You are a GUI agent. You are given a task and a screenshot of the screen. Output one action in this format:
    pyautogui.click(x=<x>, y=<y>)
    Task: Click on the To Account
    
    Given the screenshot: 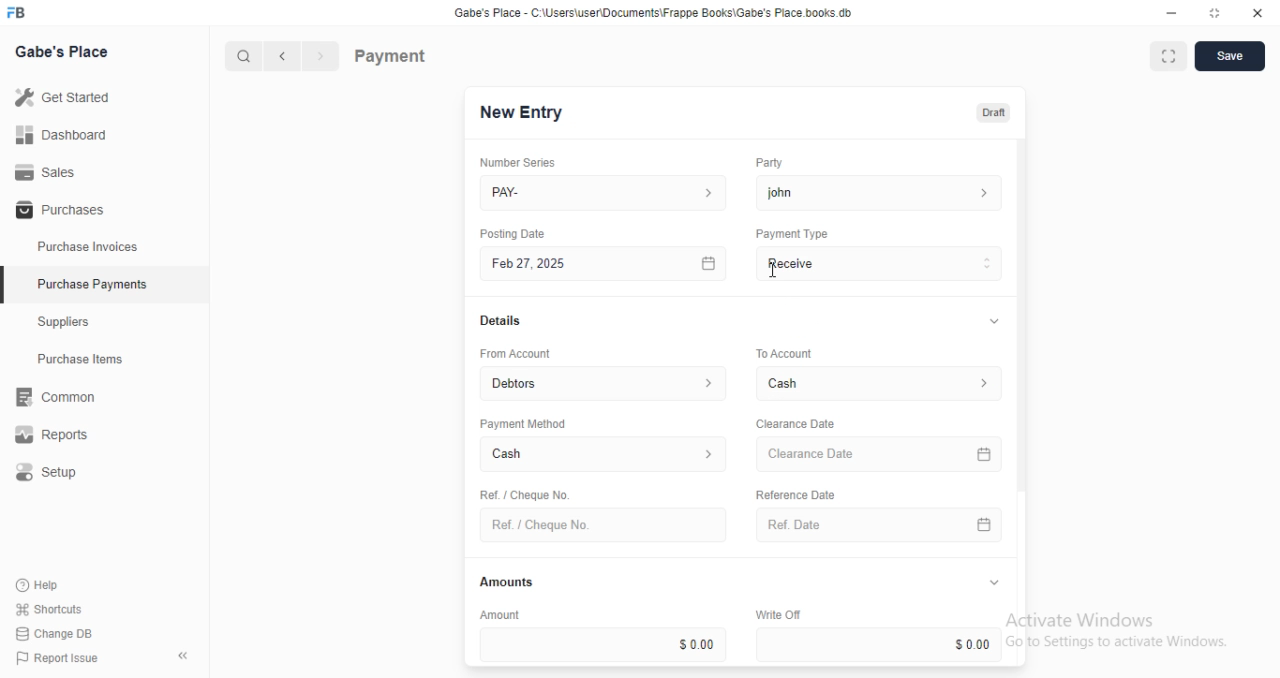 What is the action you would take?
    pyautogui.click(x=882, y=383)
    